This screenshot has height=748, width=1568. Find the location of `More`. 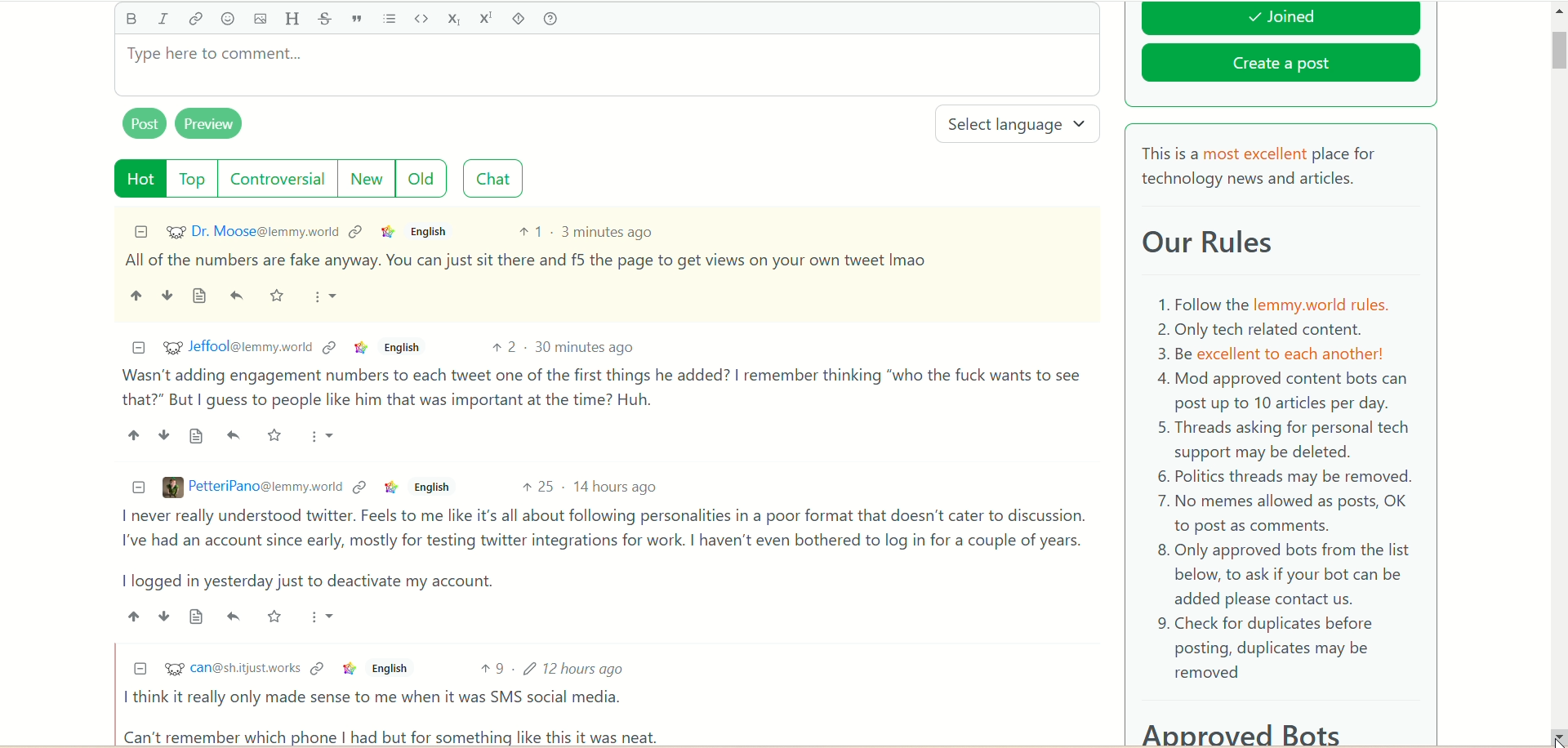

More is located at coordinates (325, 435).